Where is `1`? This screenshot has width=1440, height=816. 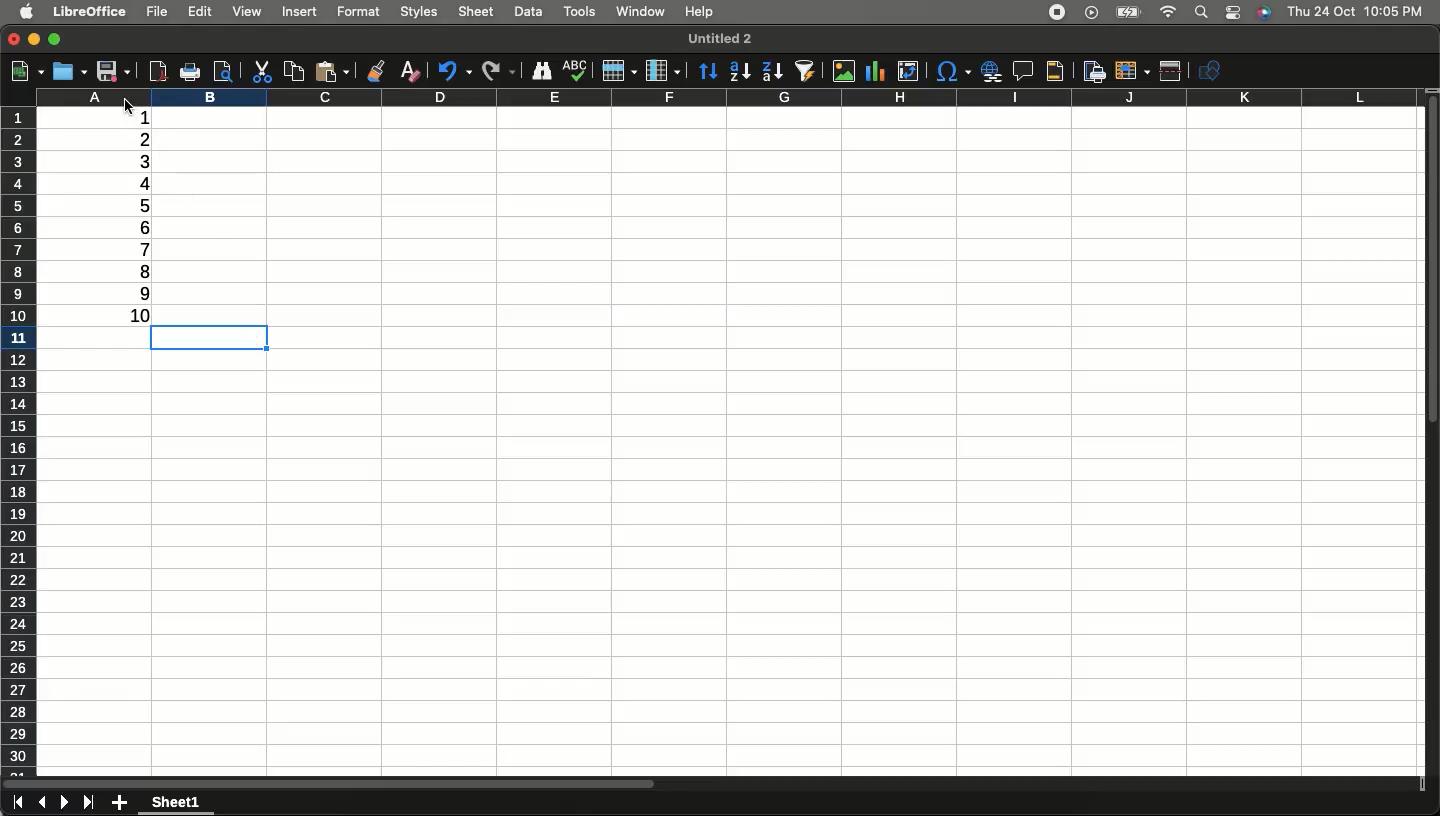 1 is located at coordinates (131, 115).